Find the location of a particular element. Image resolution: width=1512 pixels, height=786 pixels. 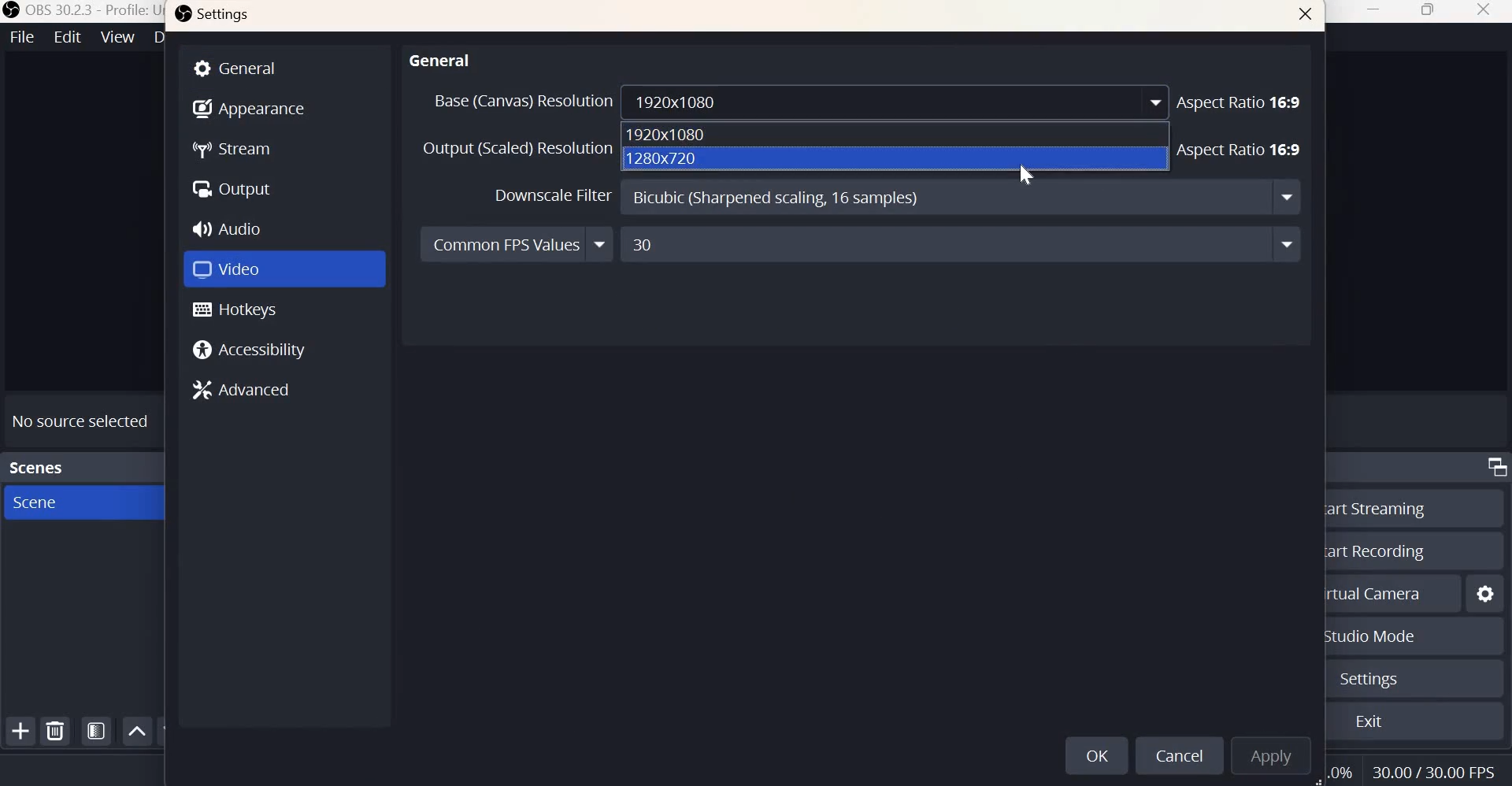

Minimize is located at coordinates (1376, 13).